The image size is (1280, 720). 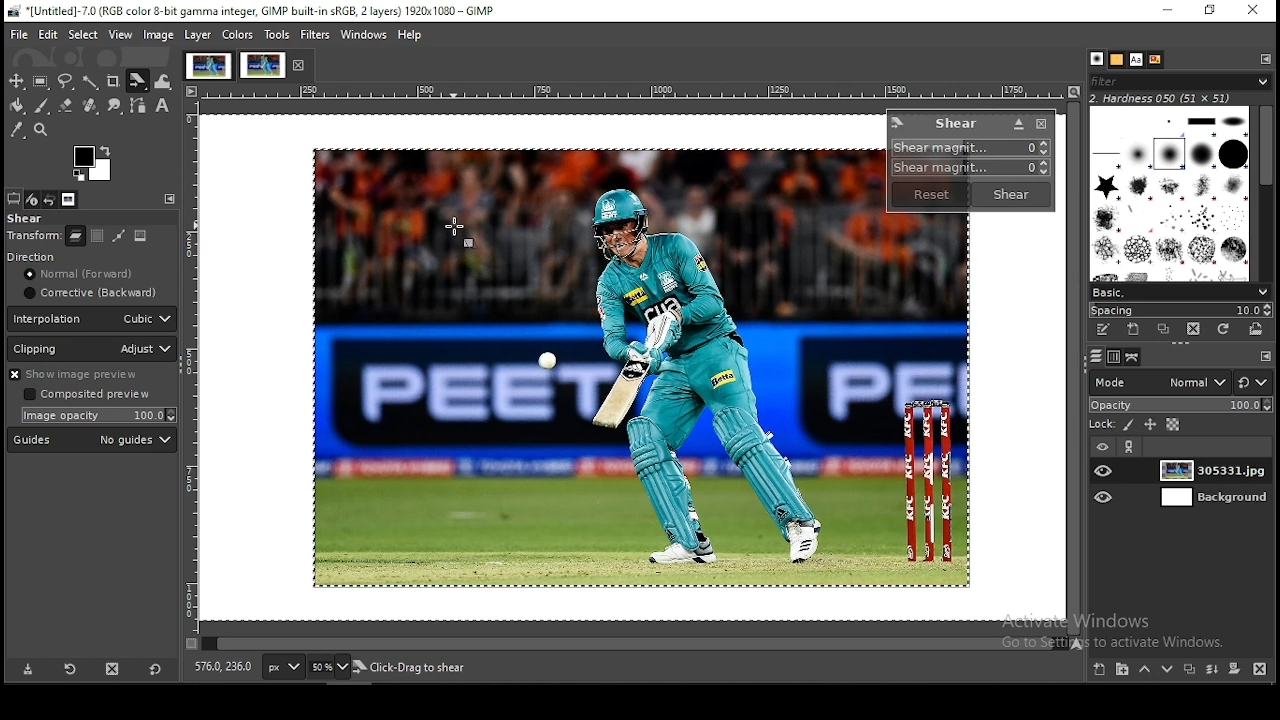 I want to click on mode, so click(x=1158, y=382).